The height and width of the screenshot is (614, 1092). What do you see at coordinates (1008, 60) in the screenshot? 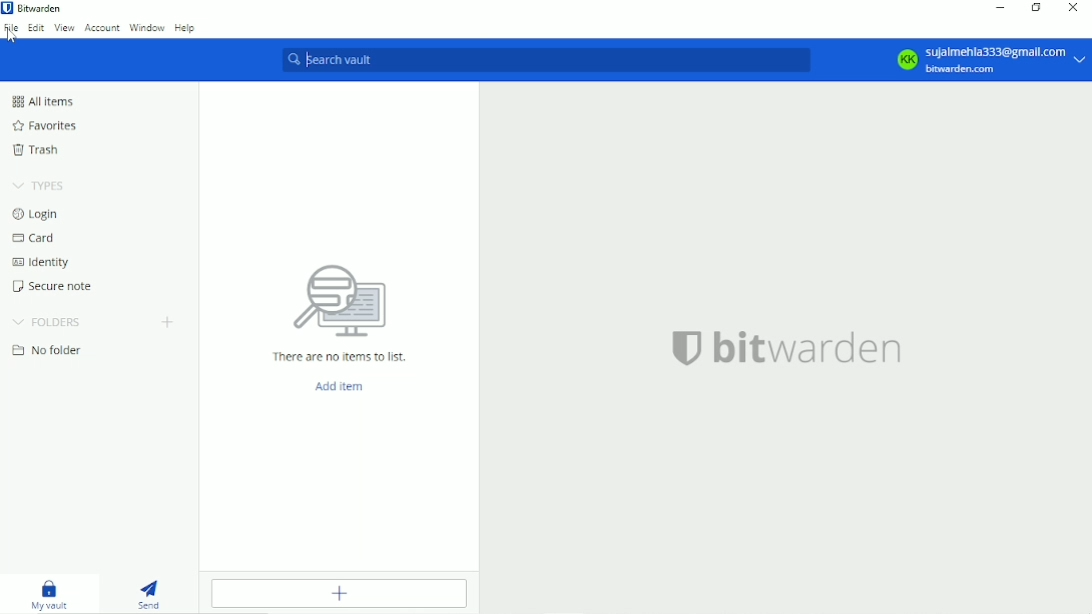
I see `sujaimehla333@gmail.com bitwarden.com` at bounding box center [1008, 60].